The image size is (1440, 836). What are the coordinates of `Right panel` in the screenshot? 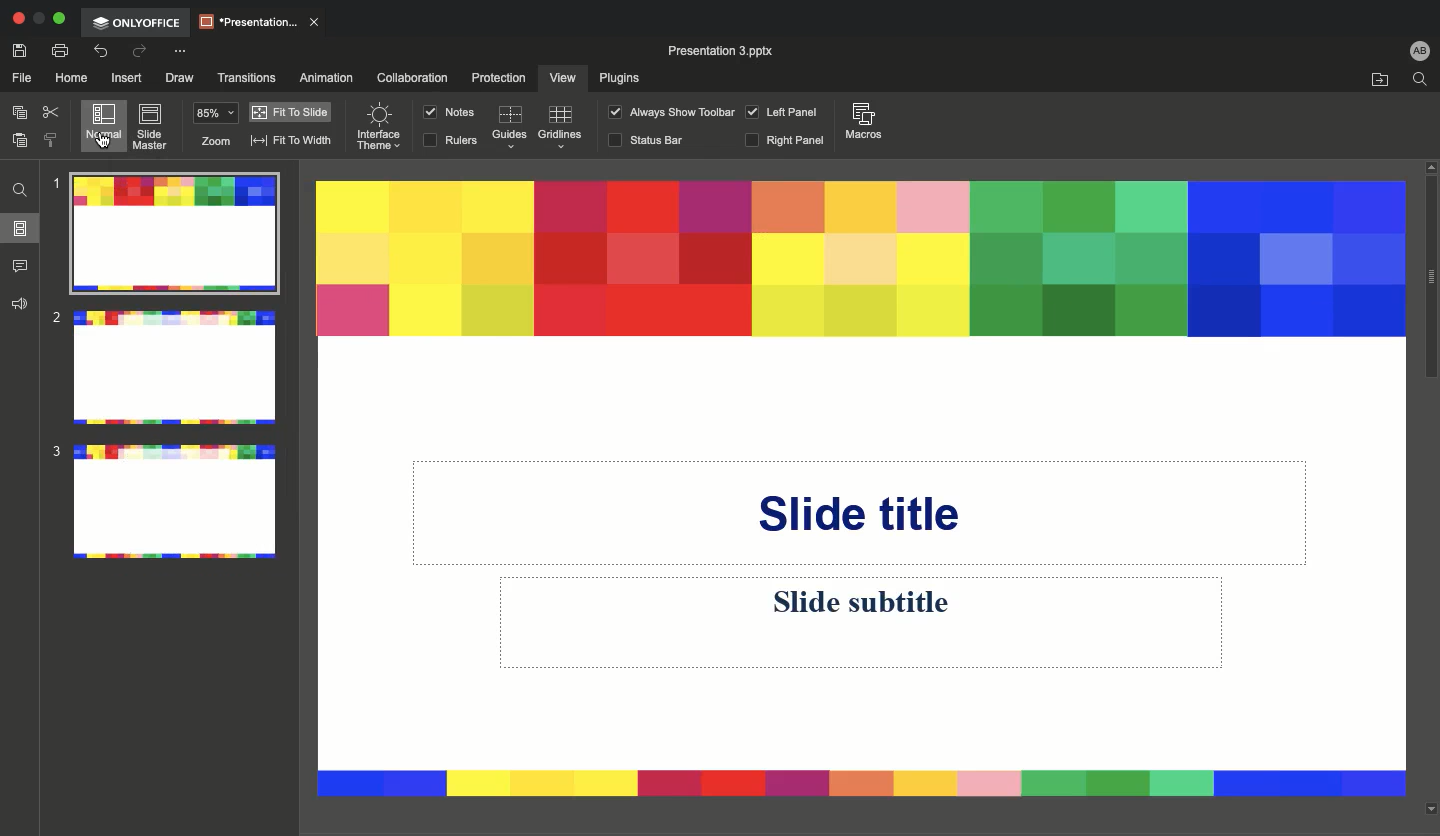 It's located at (786, 142).